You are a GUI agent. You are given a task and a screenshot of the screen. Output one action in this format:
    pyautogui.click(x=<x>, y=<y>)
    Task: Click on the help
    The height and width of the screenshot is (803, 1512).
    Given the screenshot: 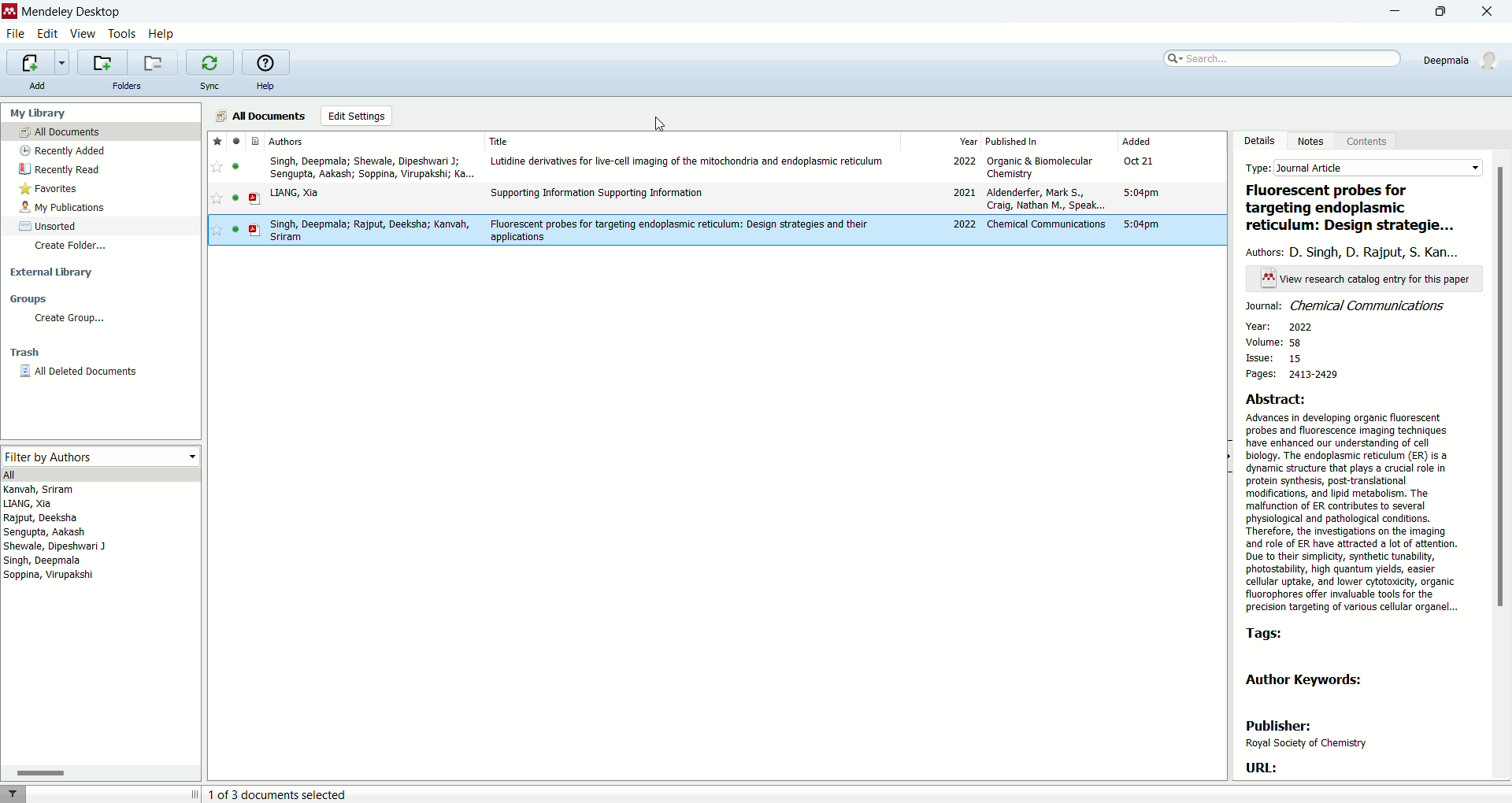 What is the action you would take?
    pyautogui.click(x=161, y=34)
    